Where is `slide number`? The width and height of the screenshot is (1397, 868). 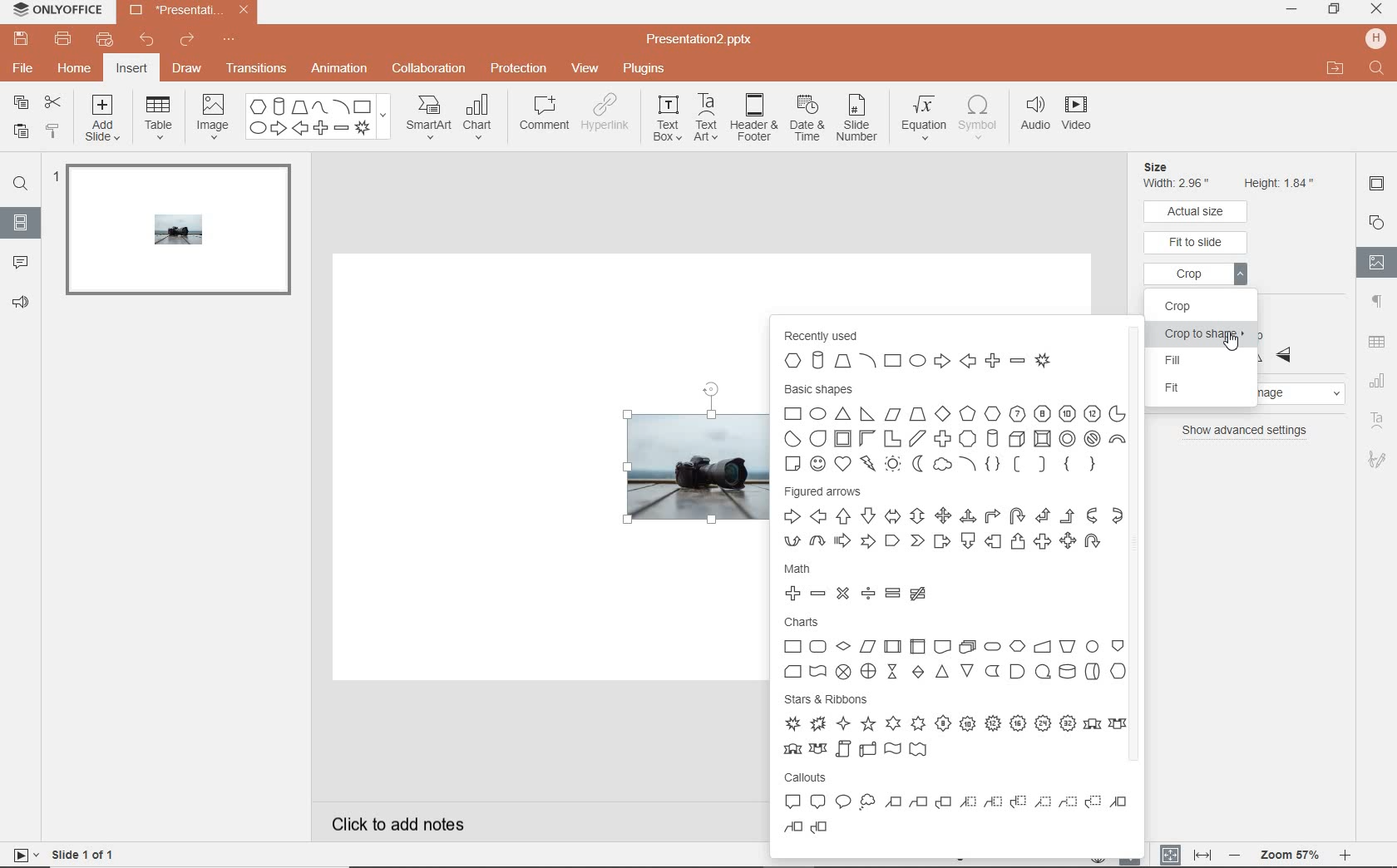
slide number is located at coordinates (860, 117).